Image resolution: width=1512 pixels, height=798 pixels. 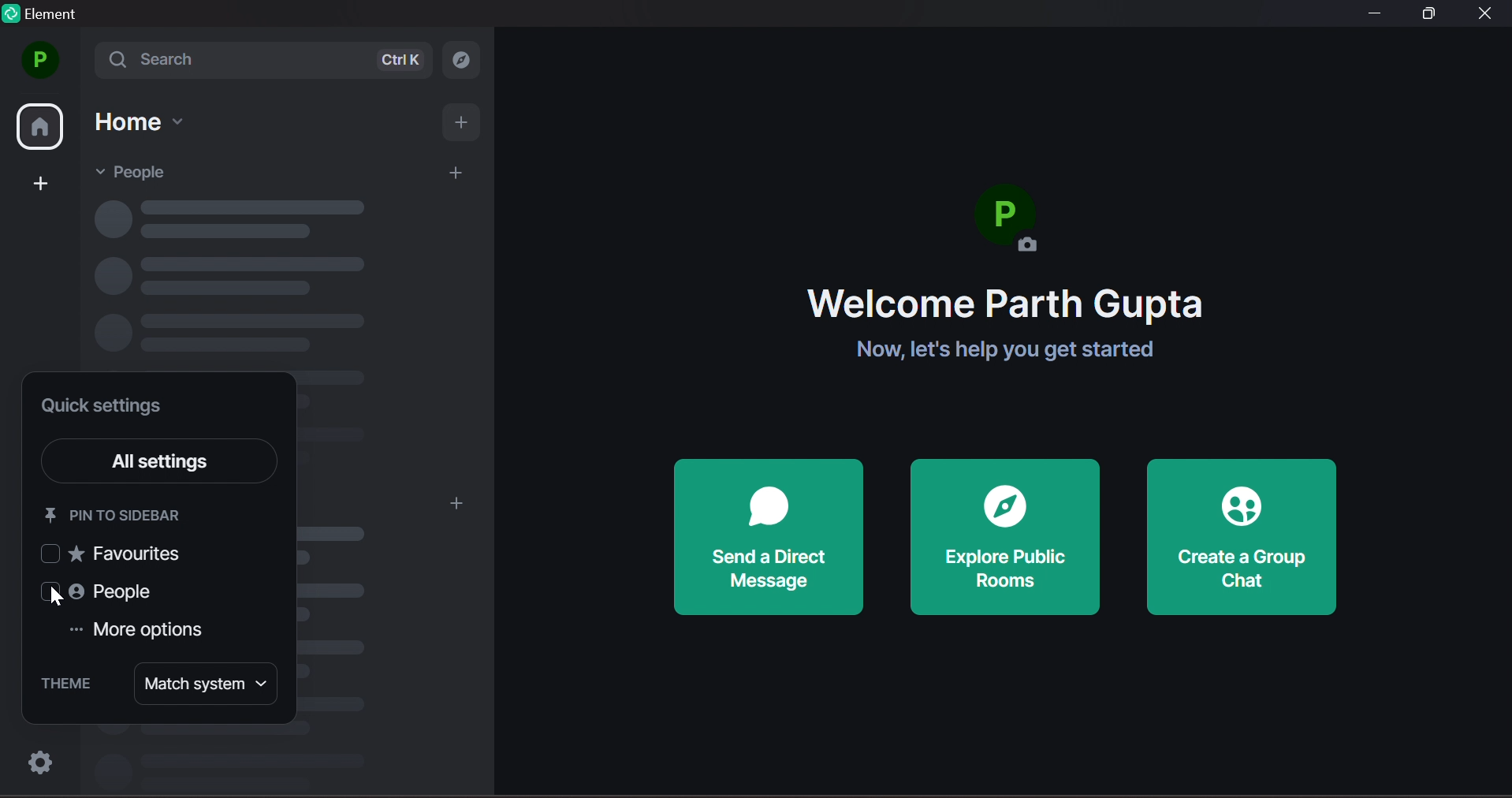 I want to click on minimize, so click(x=1372, y=16).